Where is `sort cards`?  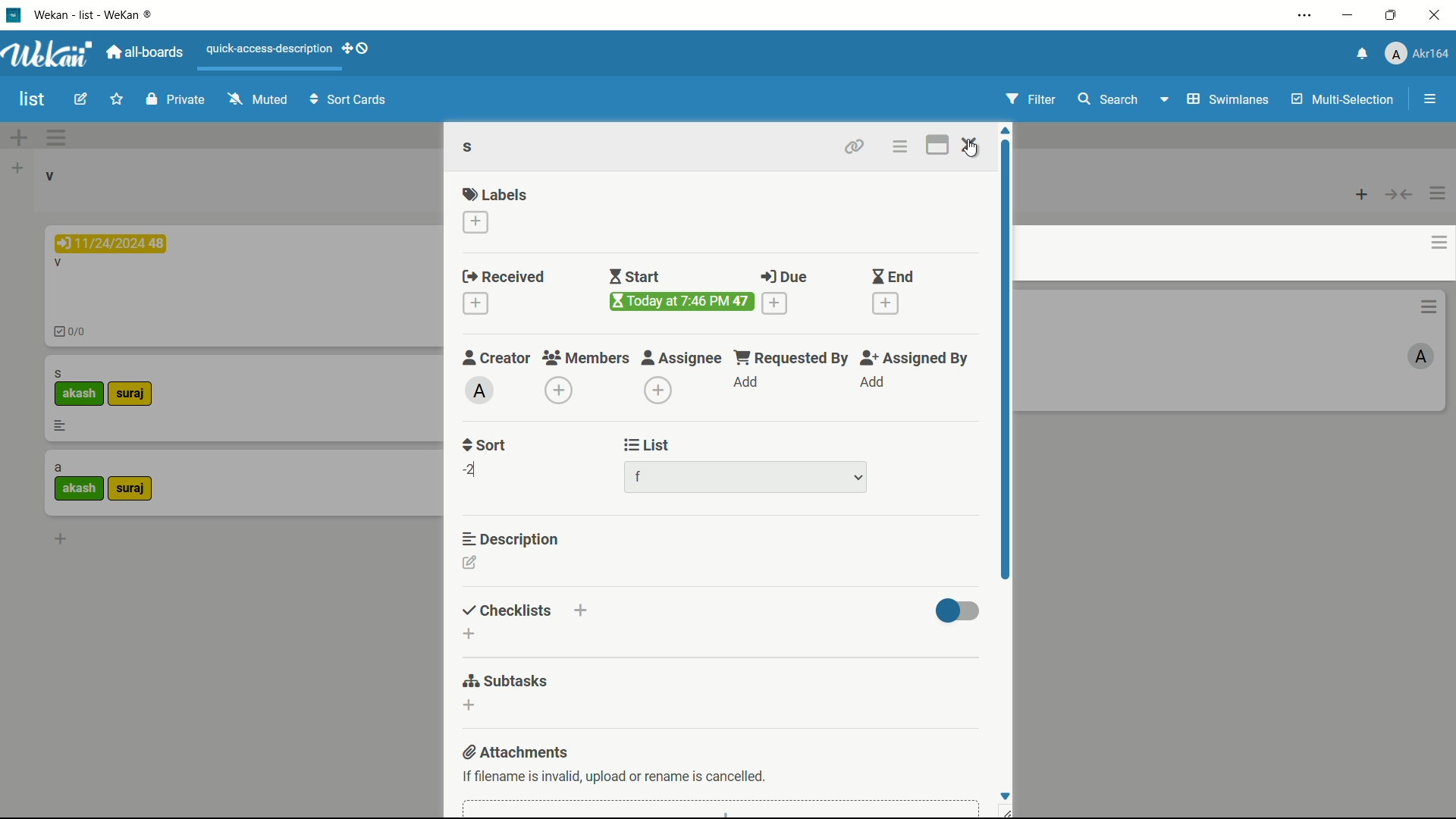
sort cards is located at coordinates (350, 101).